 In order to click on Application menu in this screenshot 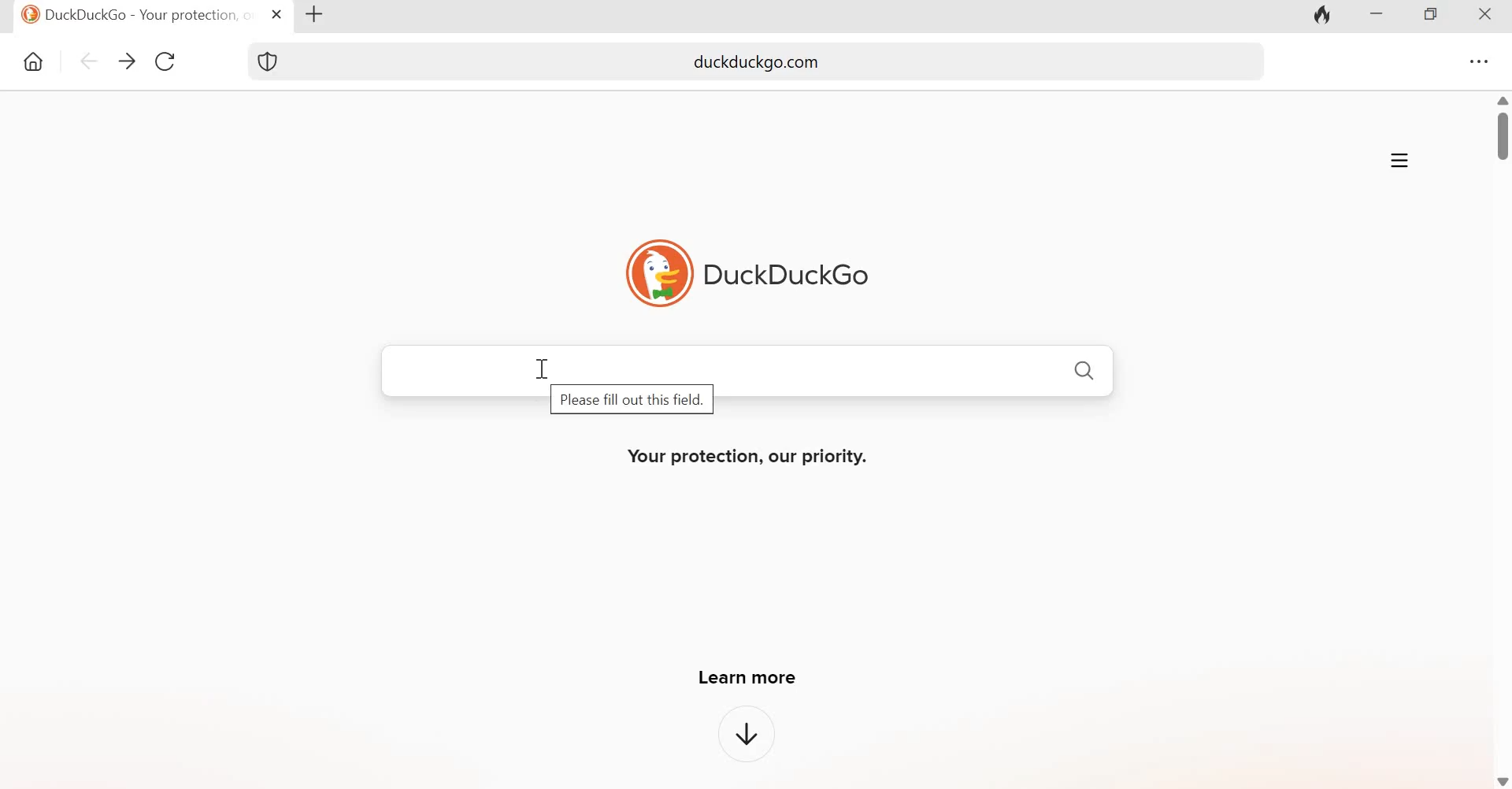, I will do `click(1400, 158)`.